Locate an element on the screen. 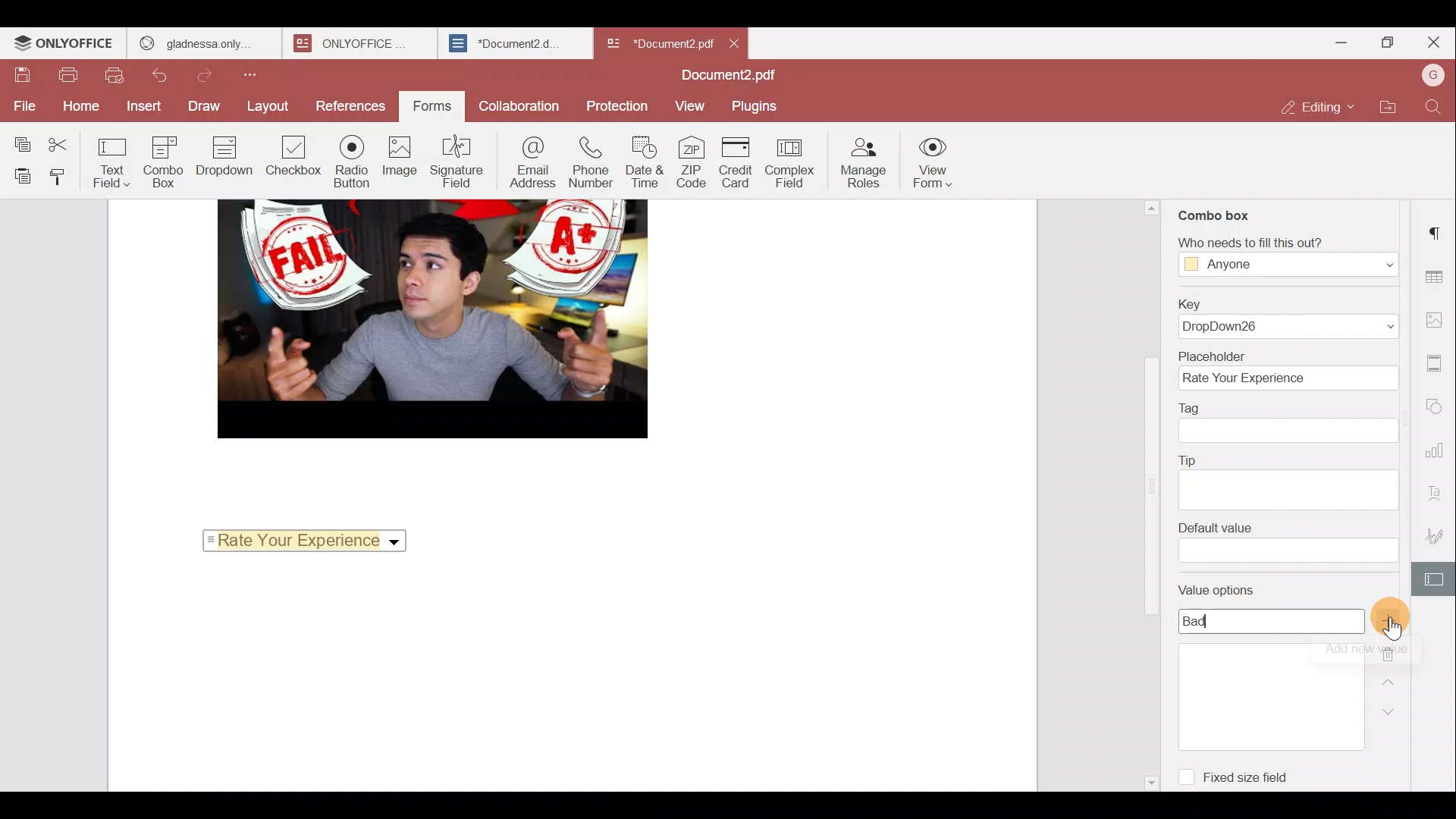 This screenshot has height=819, width=1456. Tag is located at coordinates (1291, 422).